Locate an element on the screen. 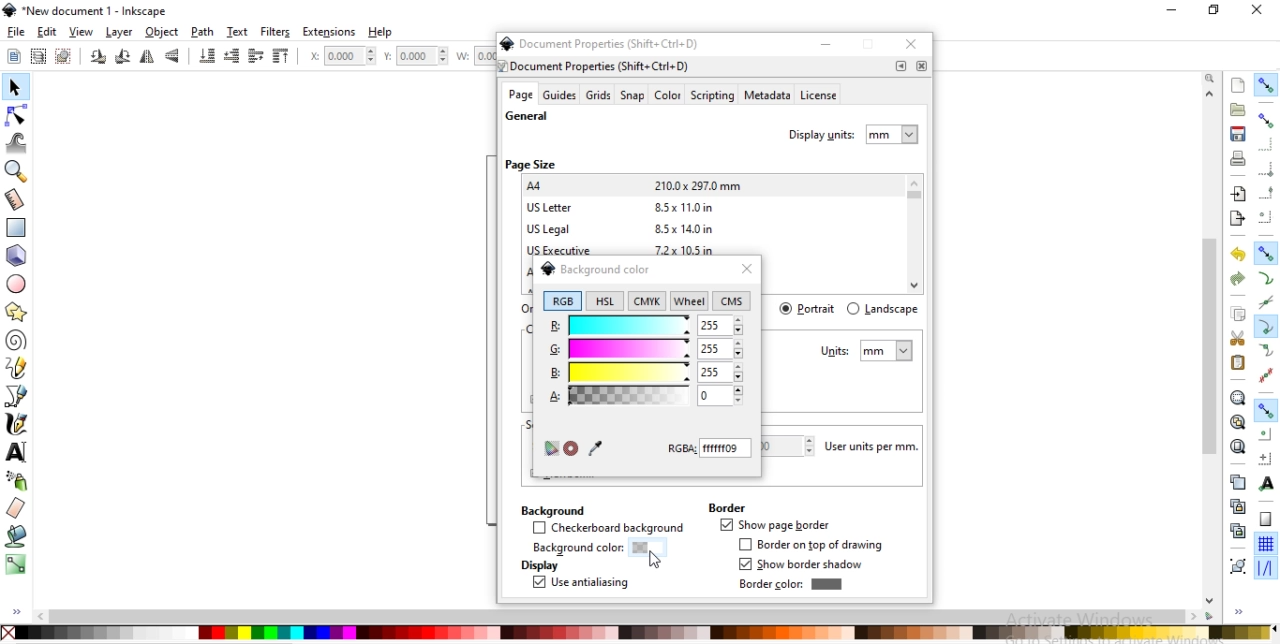  restore down is located at coordinates (1210, 9).